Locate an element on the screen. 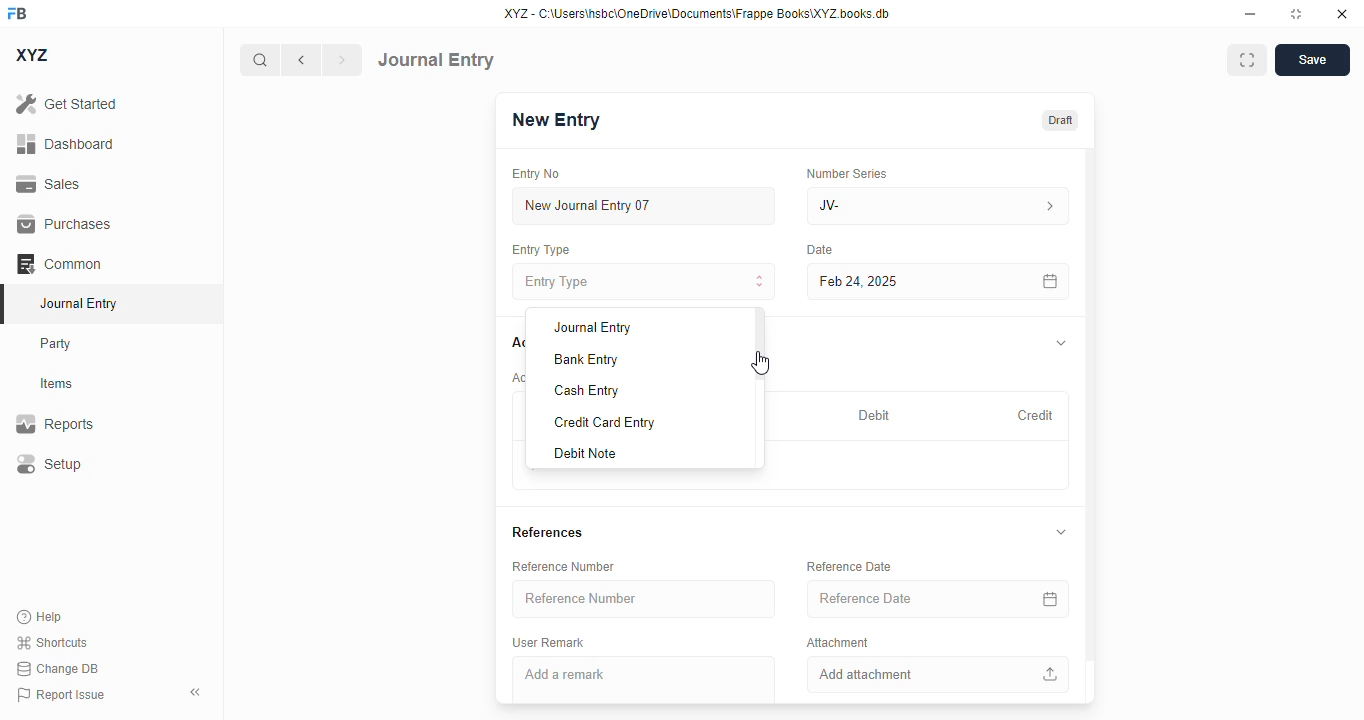 Image resolution: width=1364 pixels, height=720 pixels. reference number is located at coordinates (564, 566).